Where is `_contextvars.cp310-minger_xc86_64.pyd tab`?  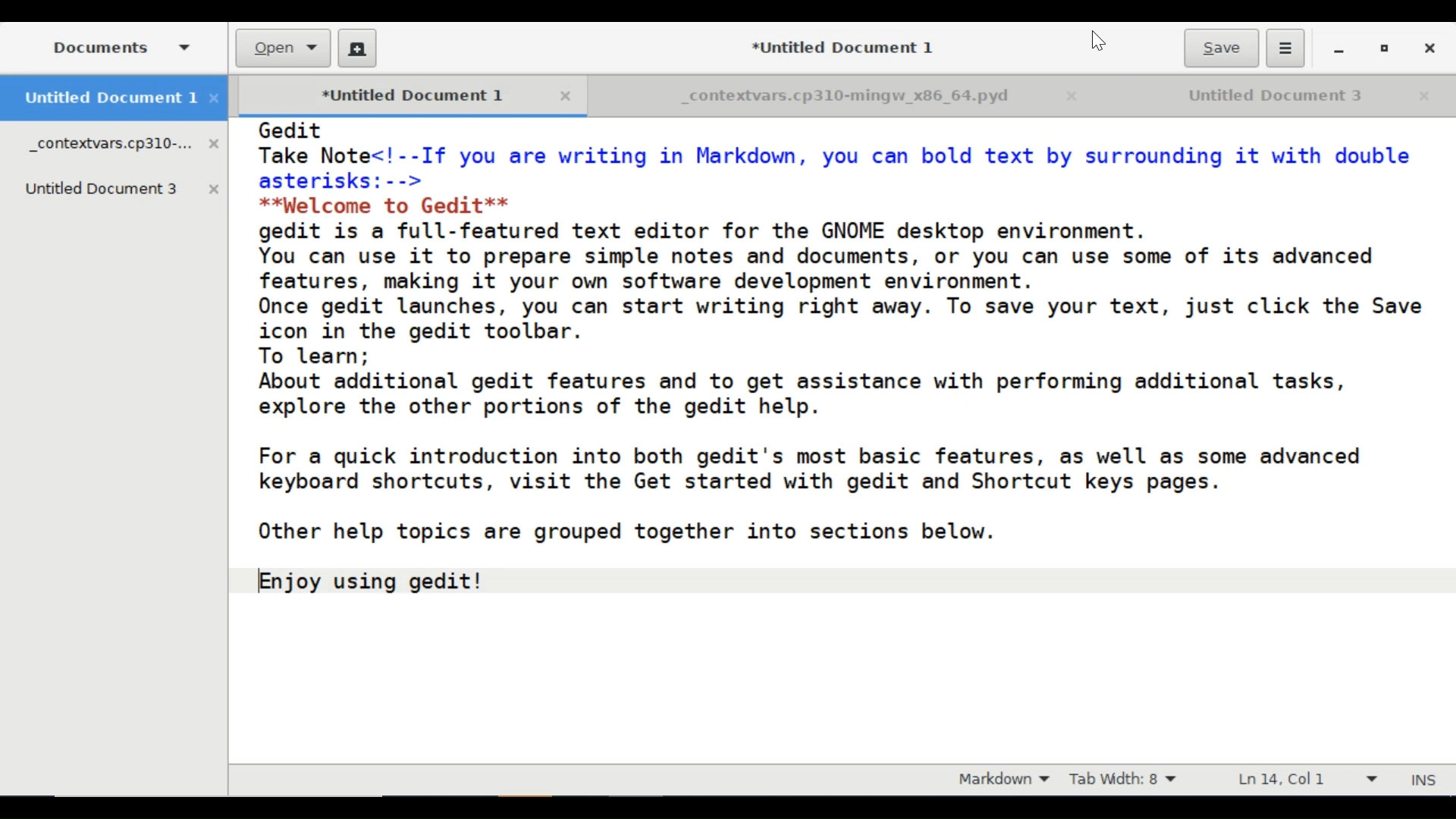 _contextvars.cp310-minger_xc86_64.pyd tab is located at coordinates (124, 146).